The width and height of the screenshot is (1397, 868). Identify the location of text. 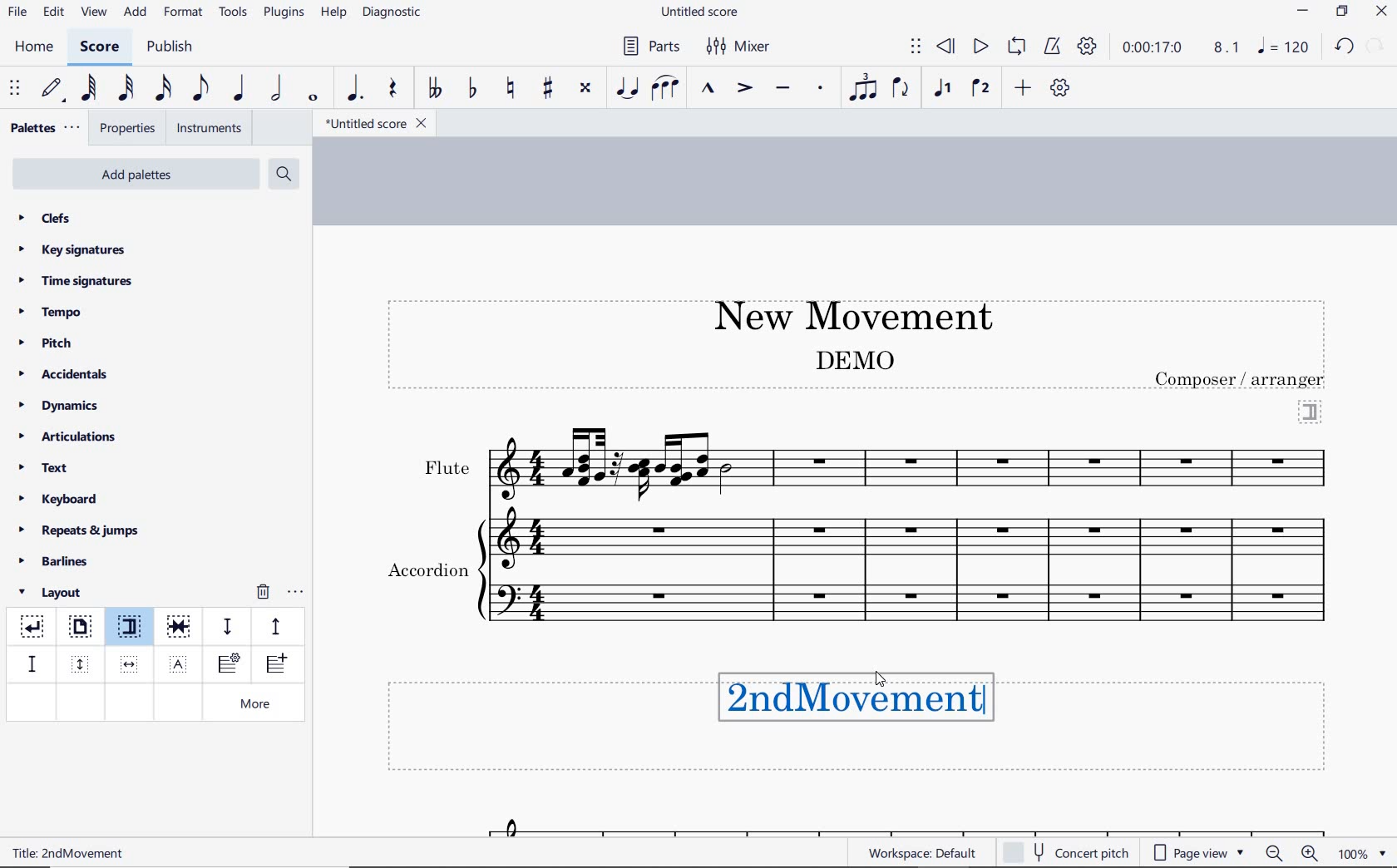
(1242, 379).